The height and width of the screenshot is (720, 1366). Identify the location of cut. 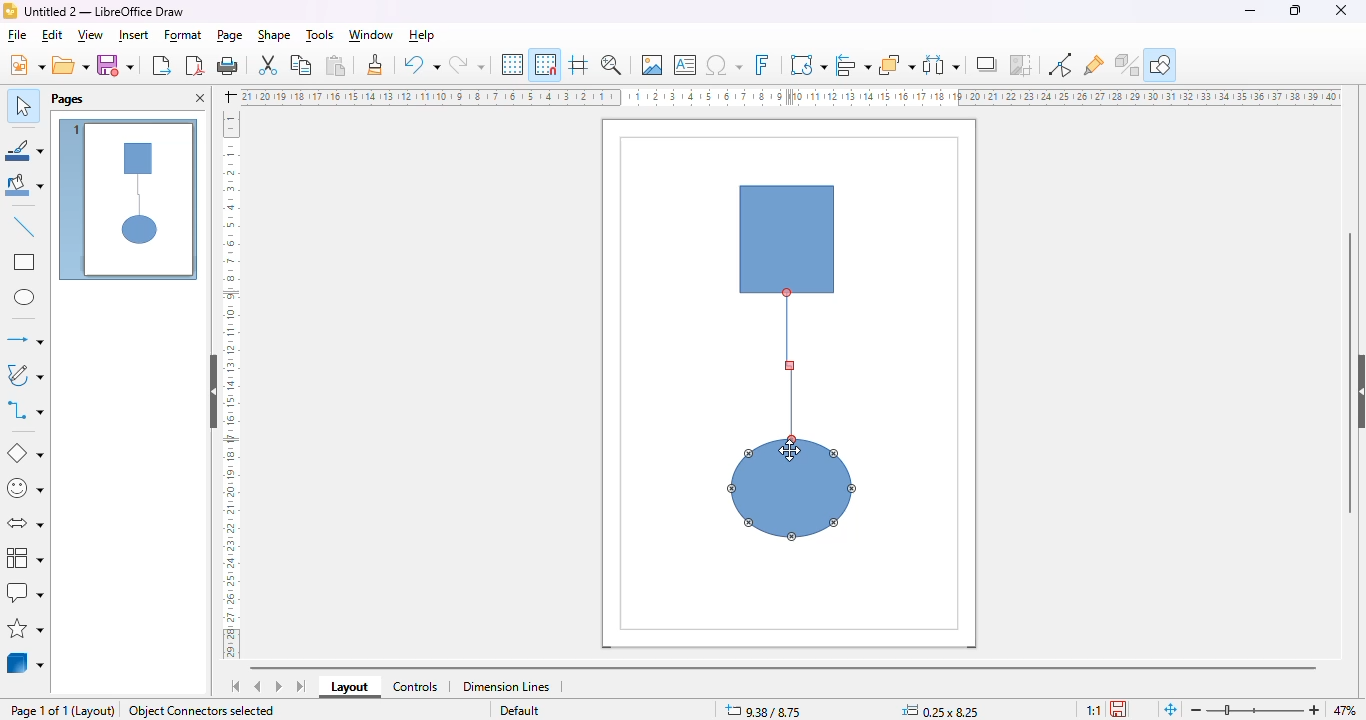
(268, 65).